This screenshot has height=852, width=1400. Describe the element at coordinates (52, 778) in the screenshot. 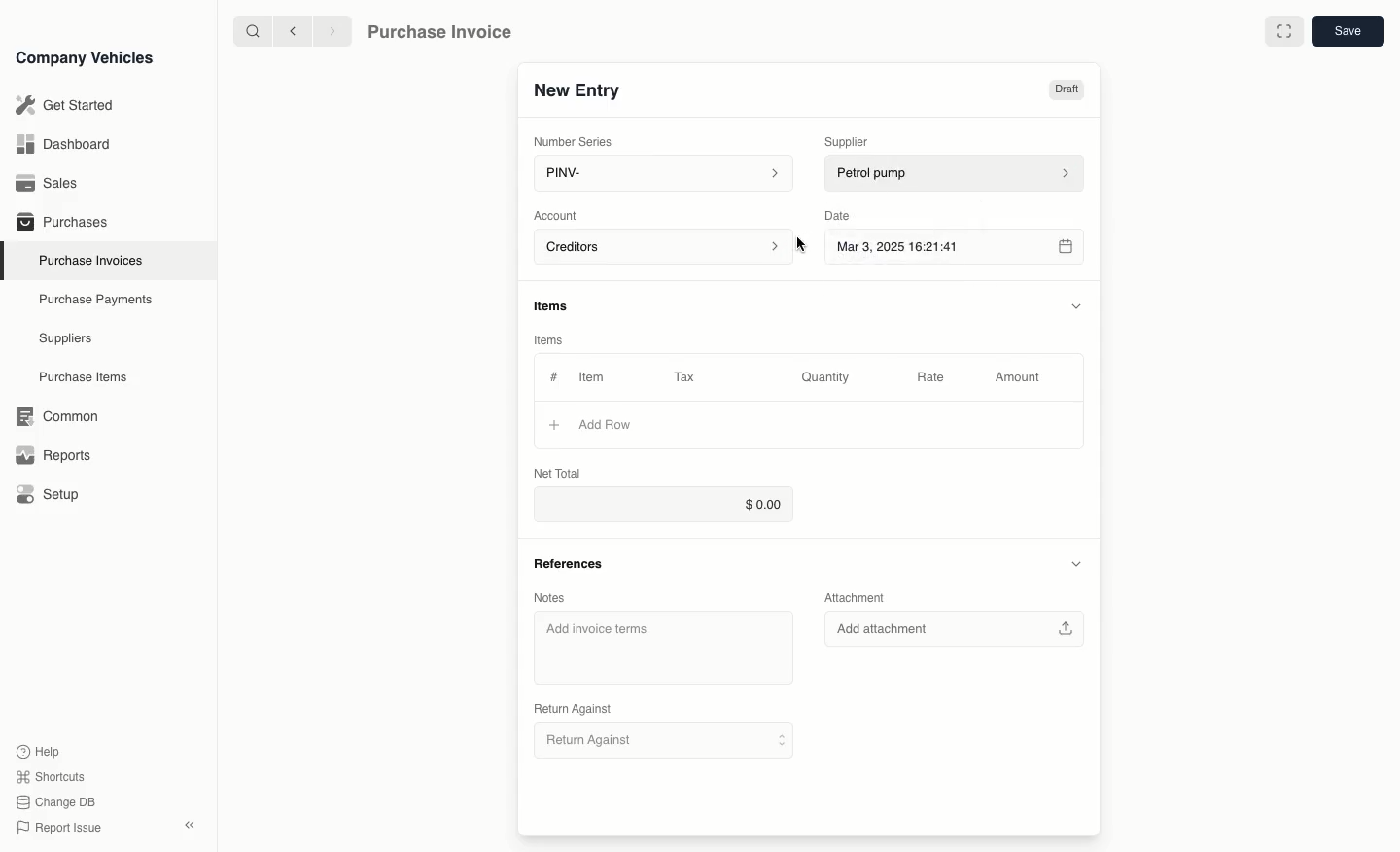

I see `Shortcuts` at that location.